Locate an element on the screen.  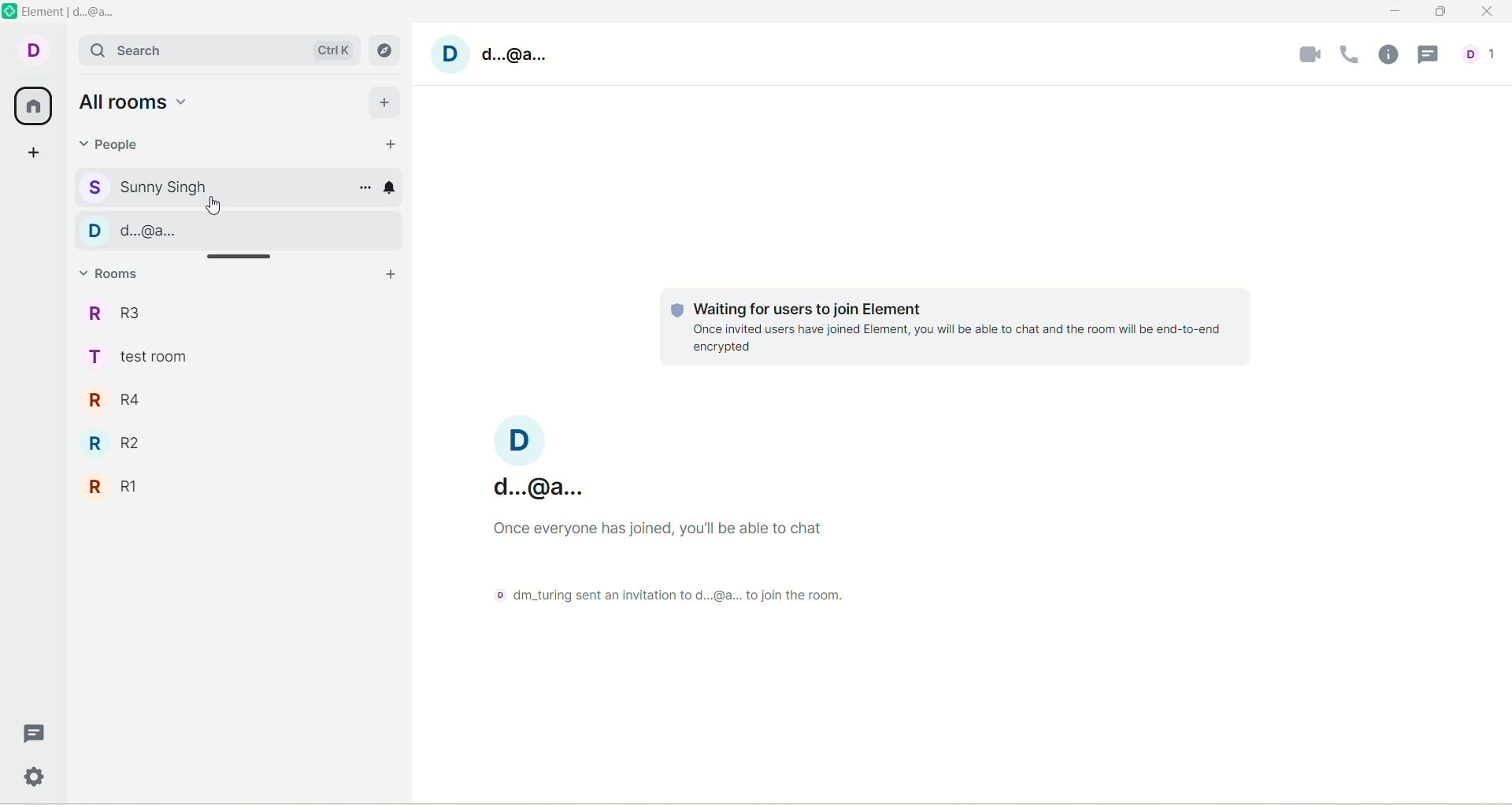
R2 is located at coordinates (122, 443).